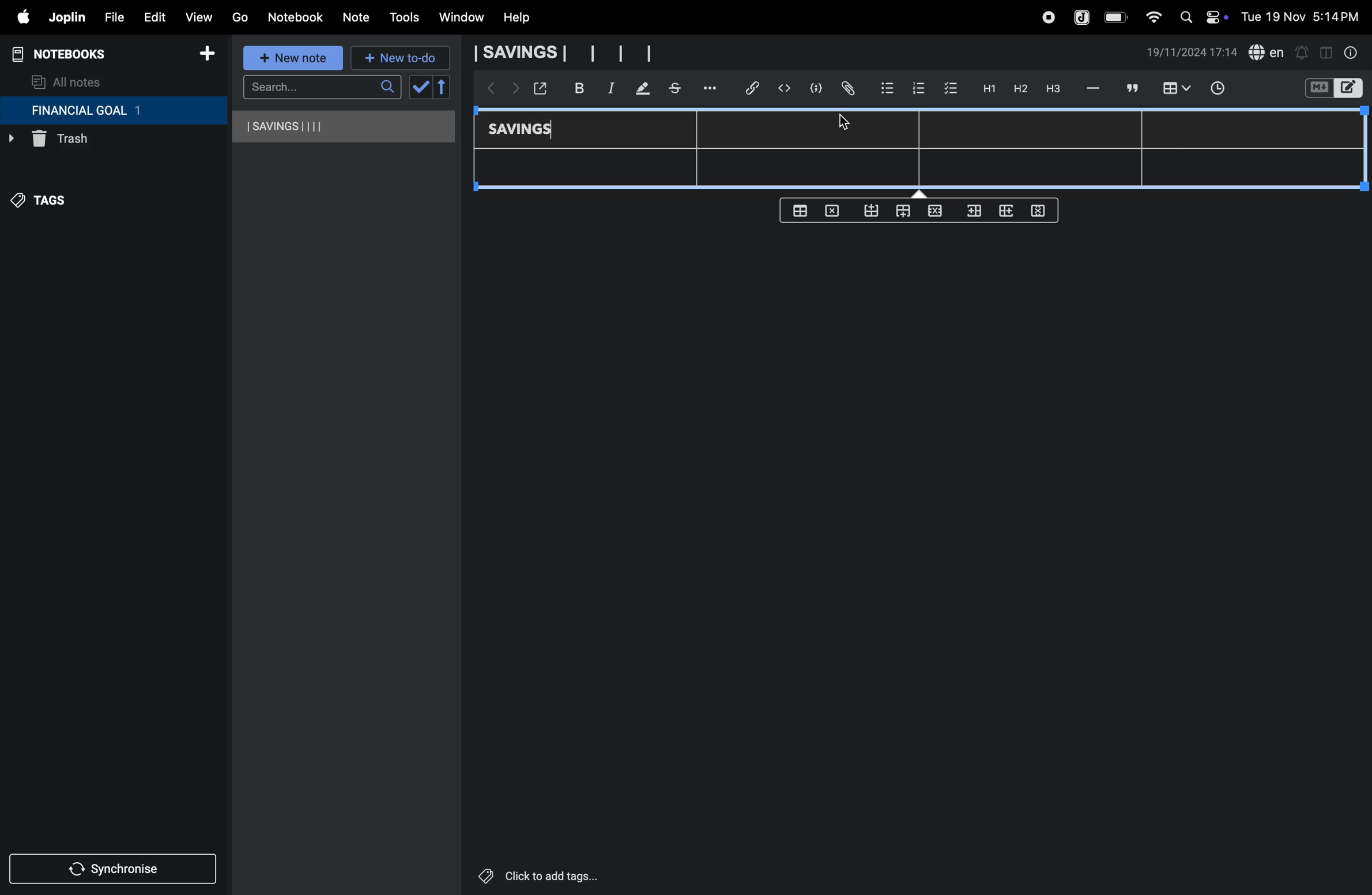 This screenshot has width=1372, height=895. Describe the element at coordinates (345, 126) in the screenshot. I see `savings` at that location.